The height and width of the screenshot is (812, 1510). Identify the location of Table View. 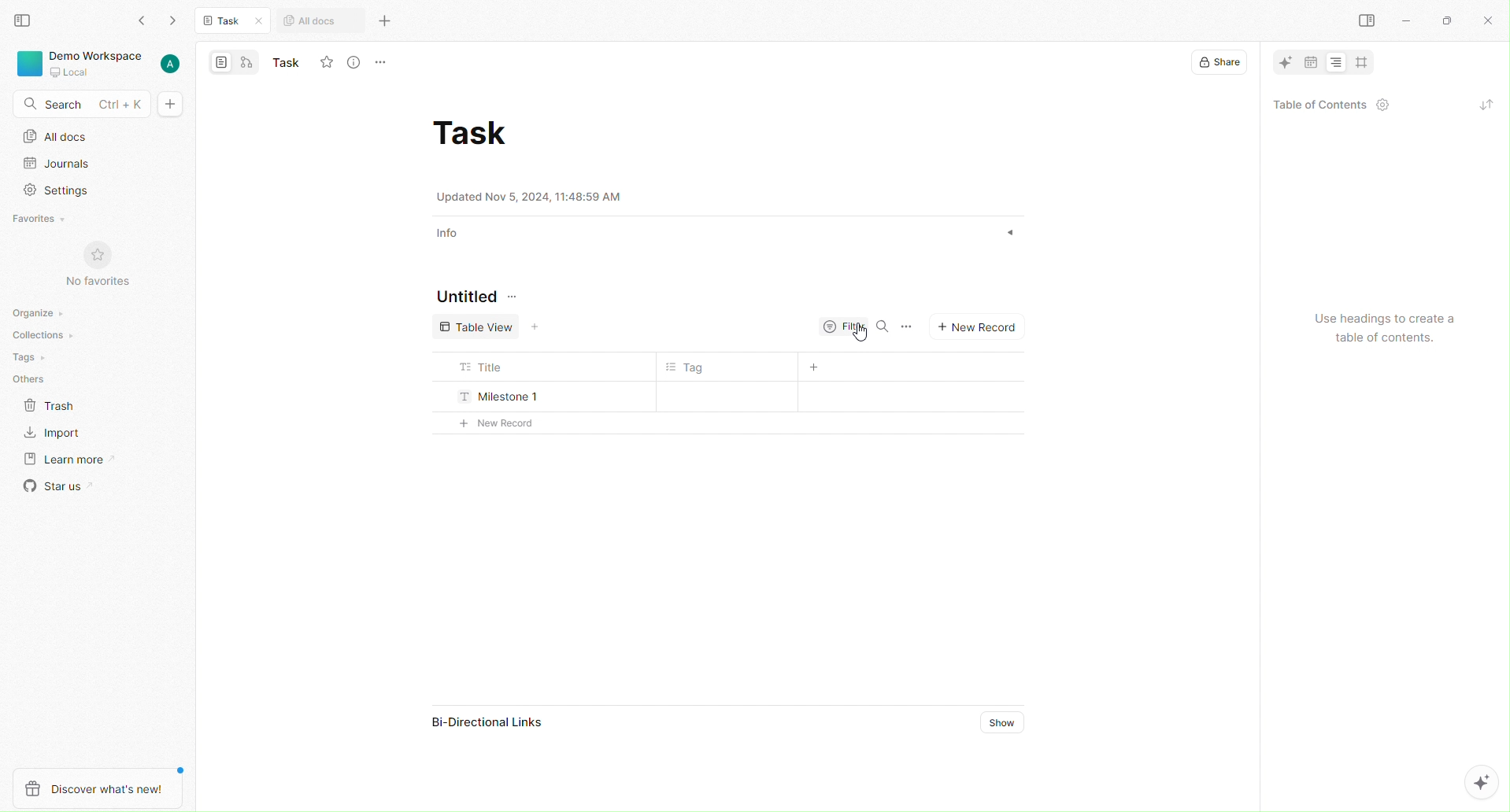
(489, 328).